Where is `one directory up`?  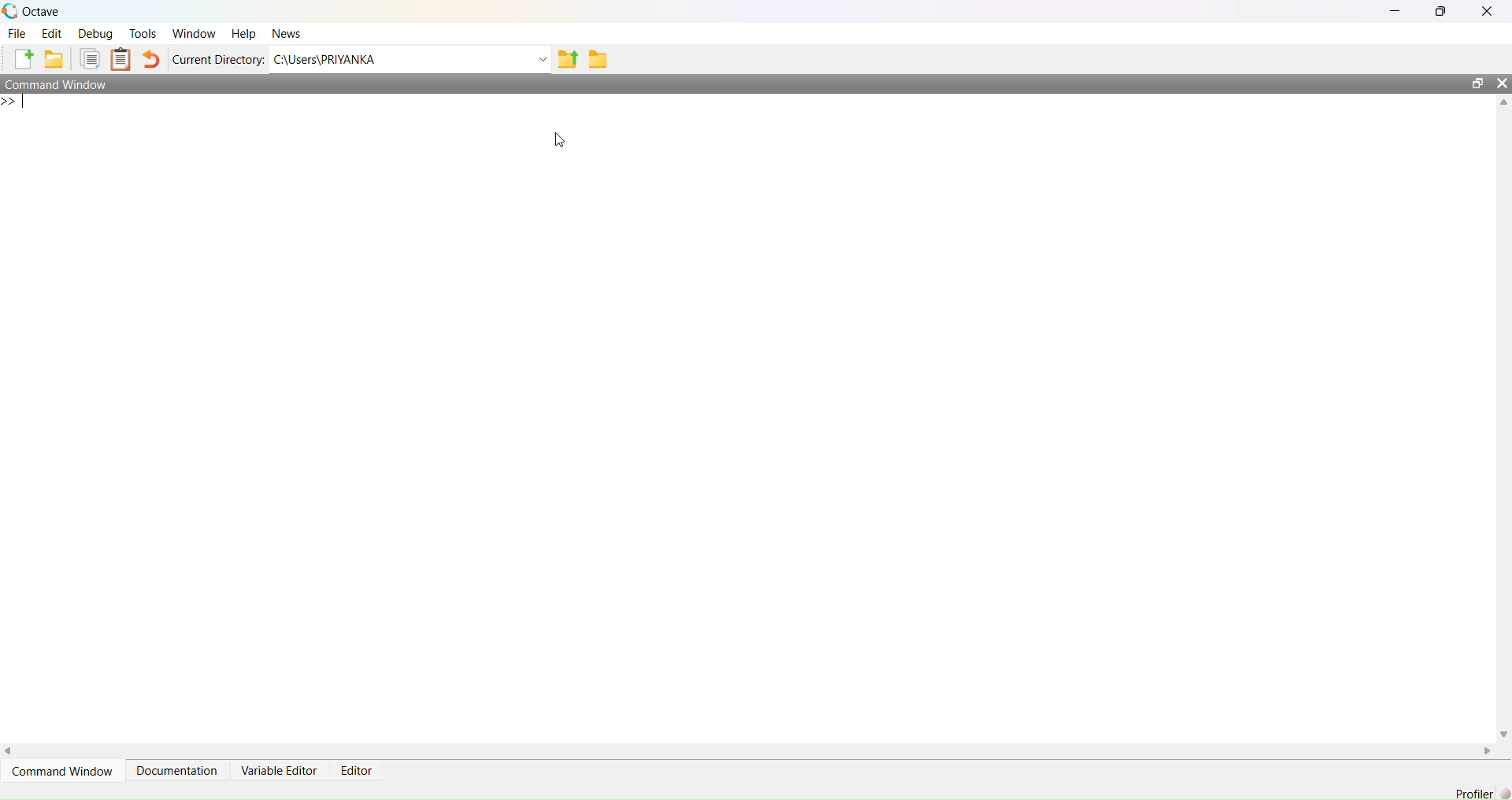 one directory up is located at coordinates (568, 58).